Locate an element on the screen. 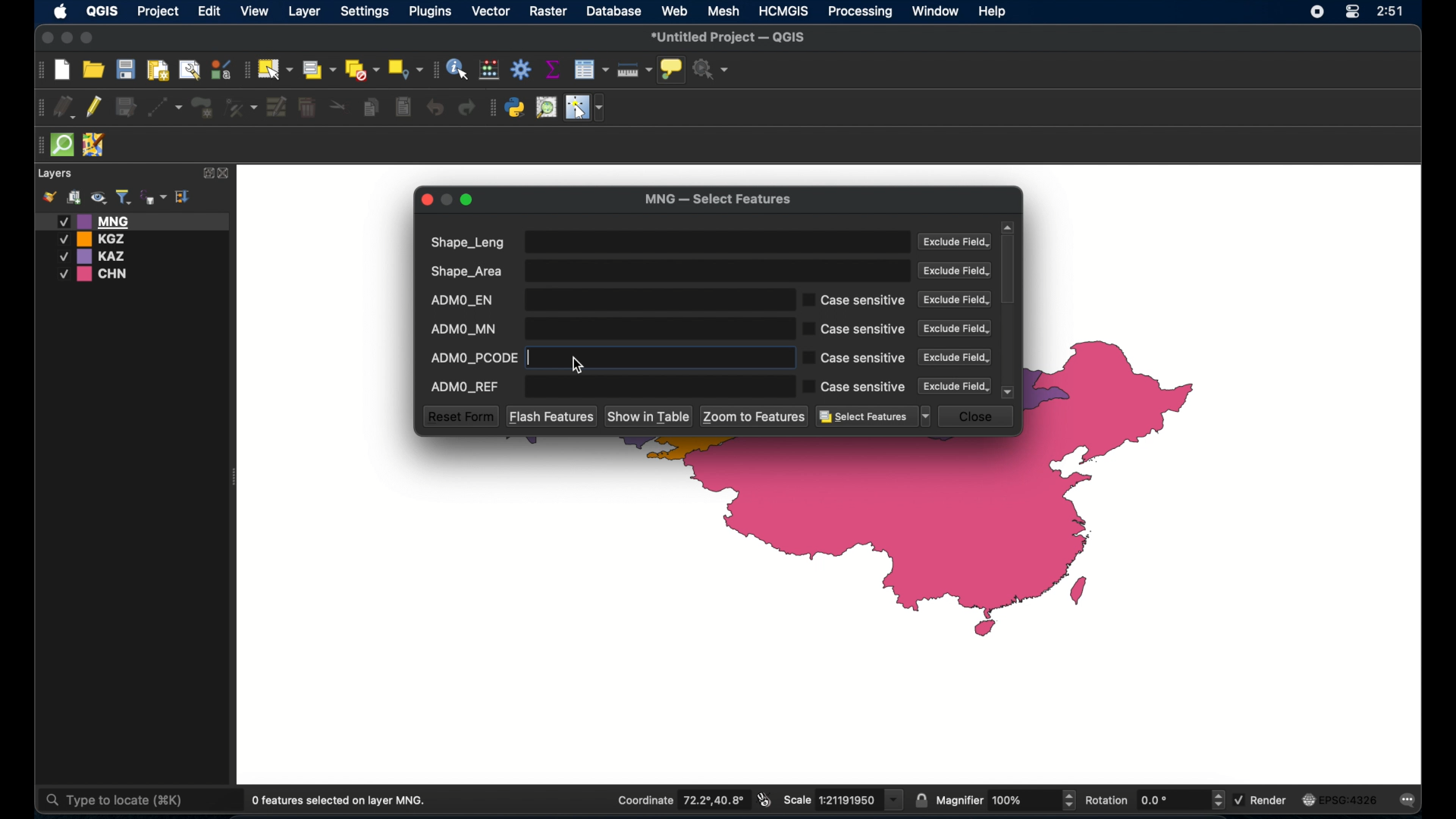  toggle editing is located at coordinates (96, 108).